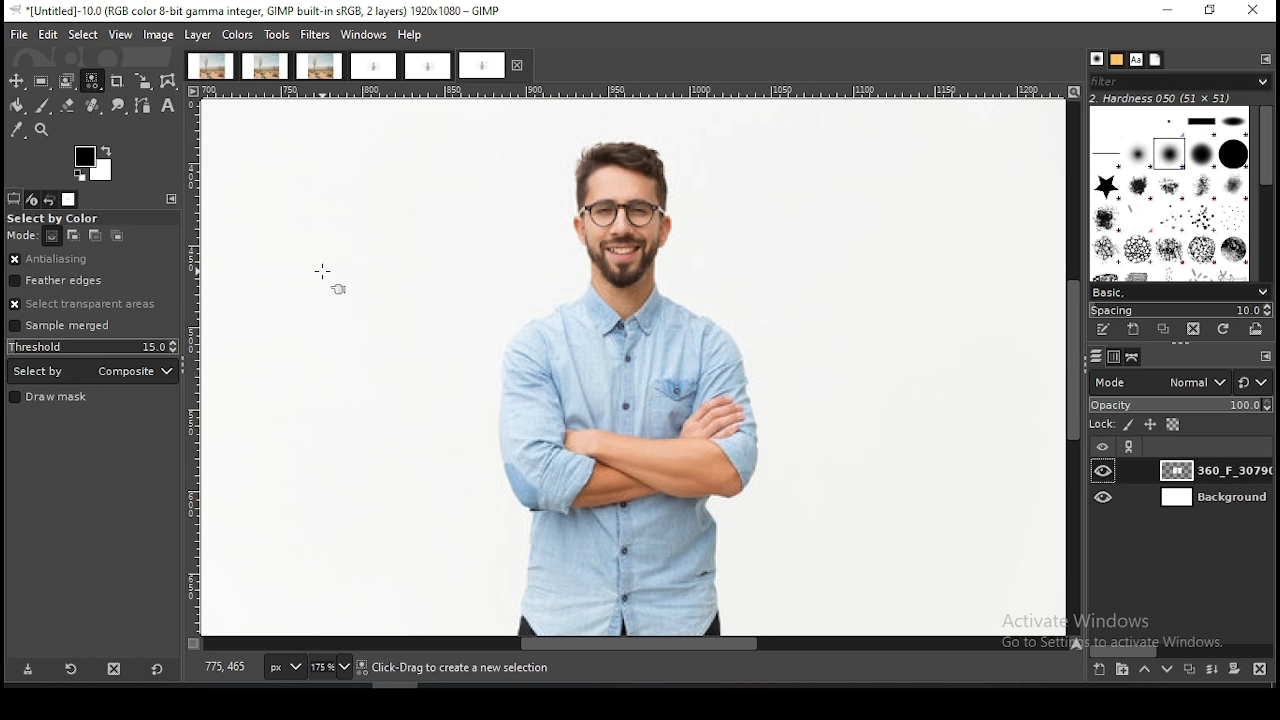  What do you see at coordinates (1171, 193) in the screenshot?
I see `brushes` at bounding box center [1171, 193].